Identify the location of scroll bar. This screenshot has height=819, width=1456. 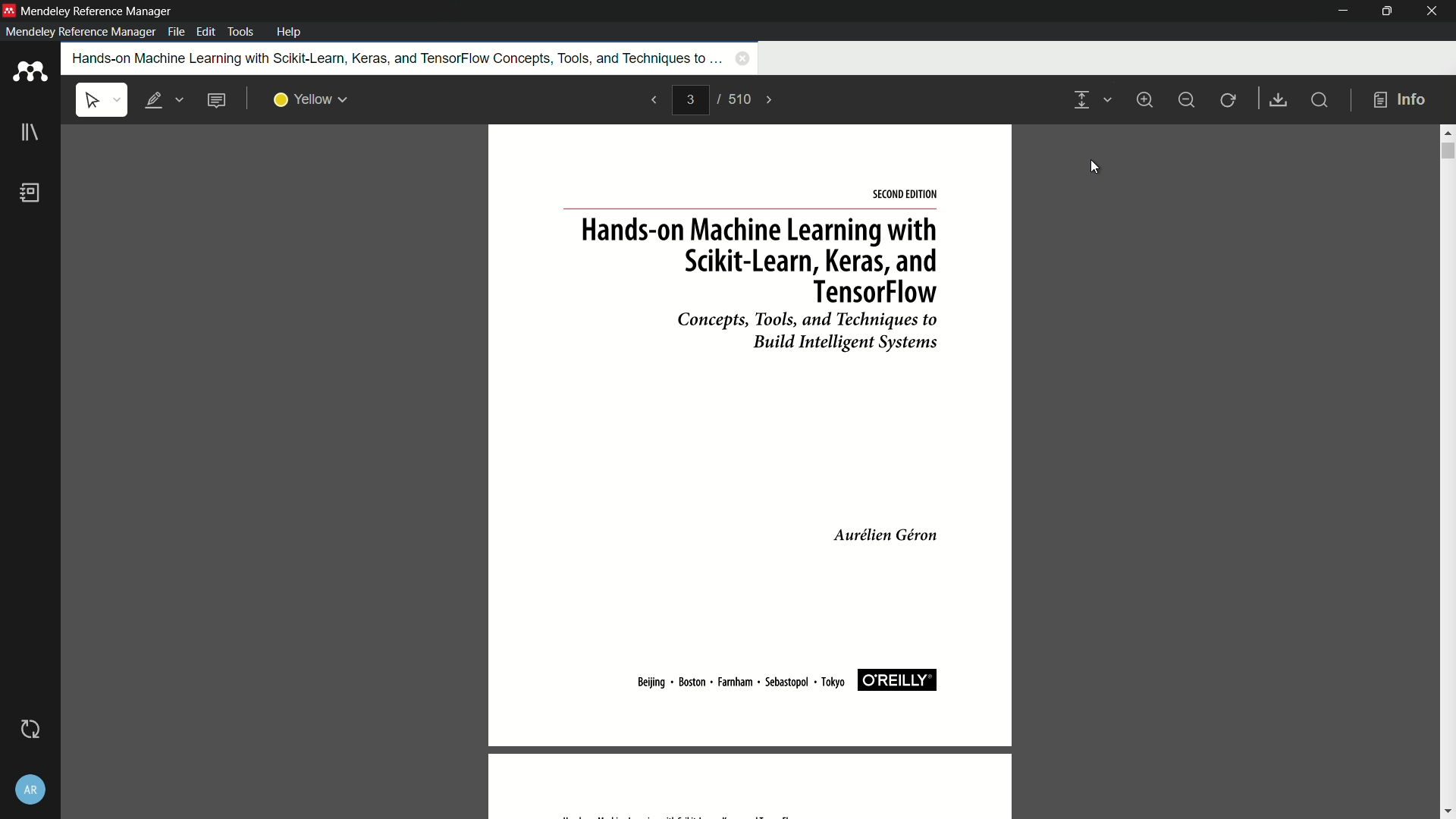
(1447, 150).